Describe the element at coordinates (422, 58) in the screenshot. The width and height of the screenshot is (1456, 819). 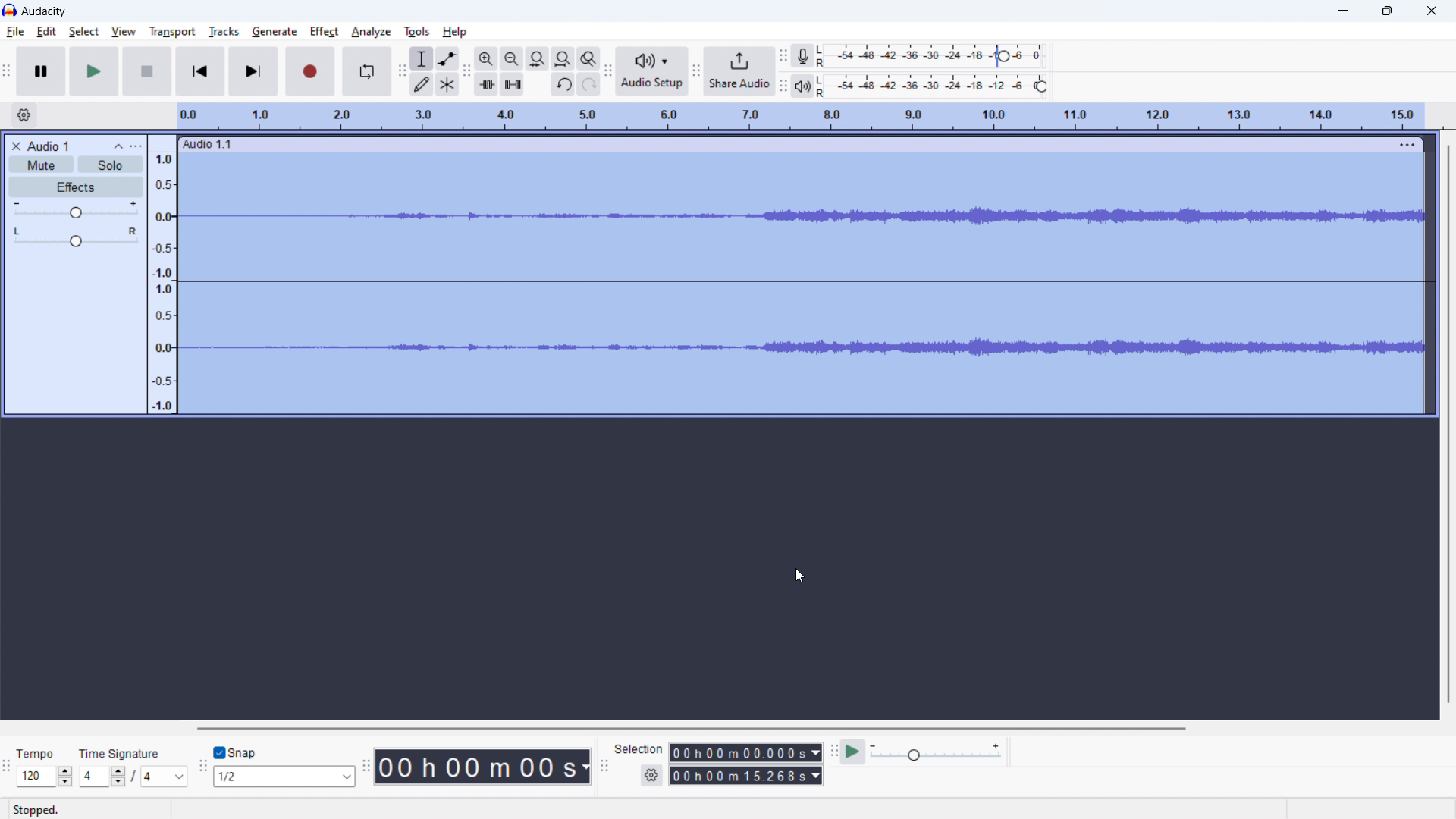
I see `selection tool` at that location.